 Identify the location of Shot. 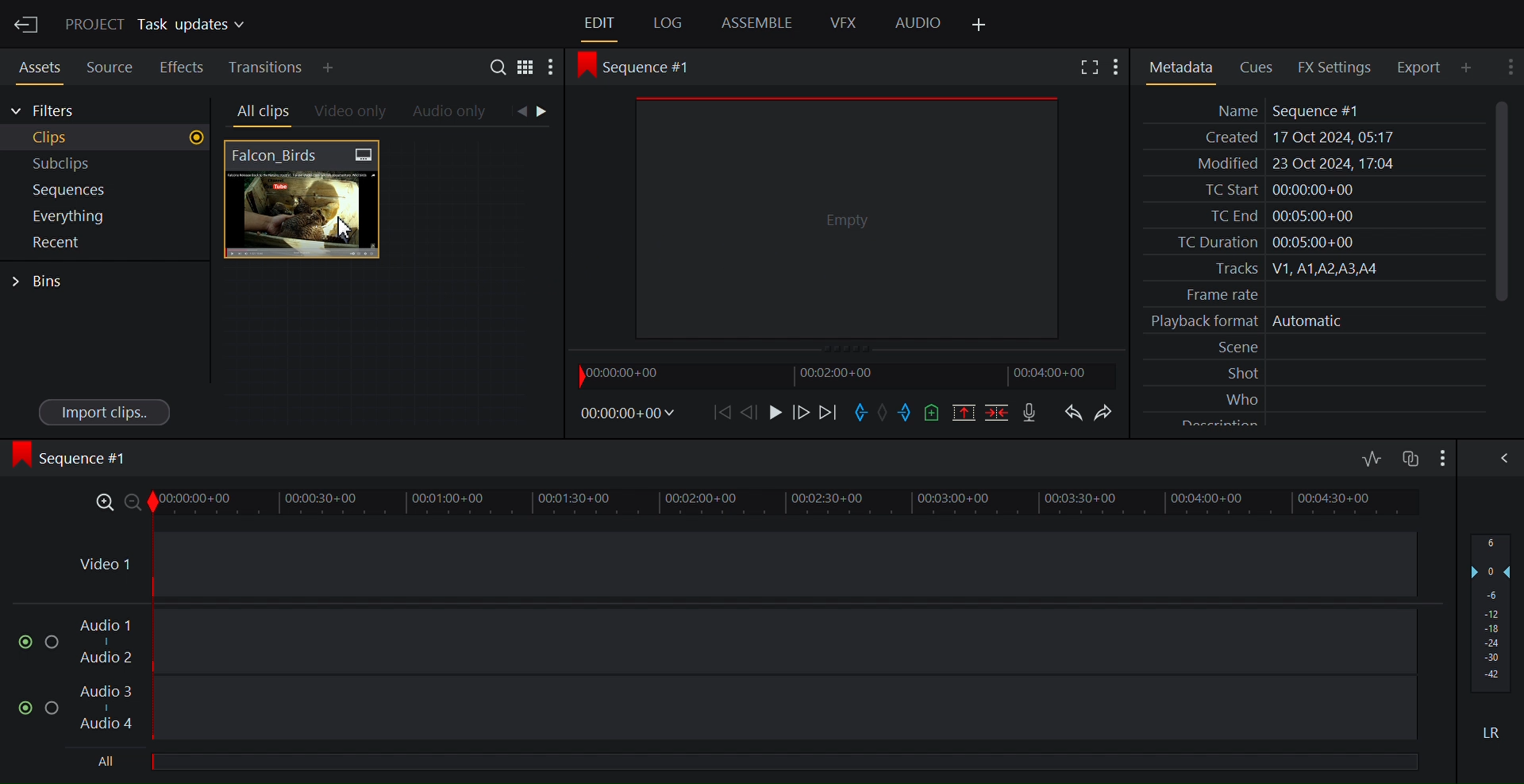
(1315, 372).